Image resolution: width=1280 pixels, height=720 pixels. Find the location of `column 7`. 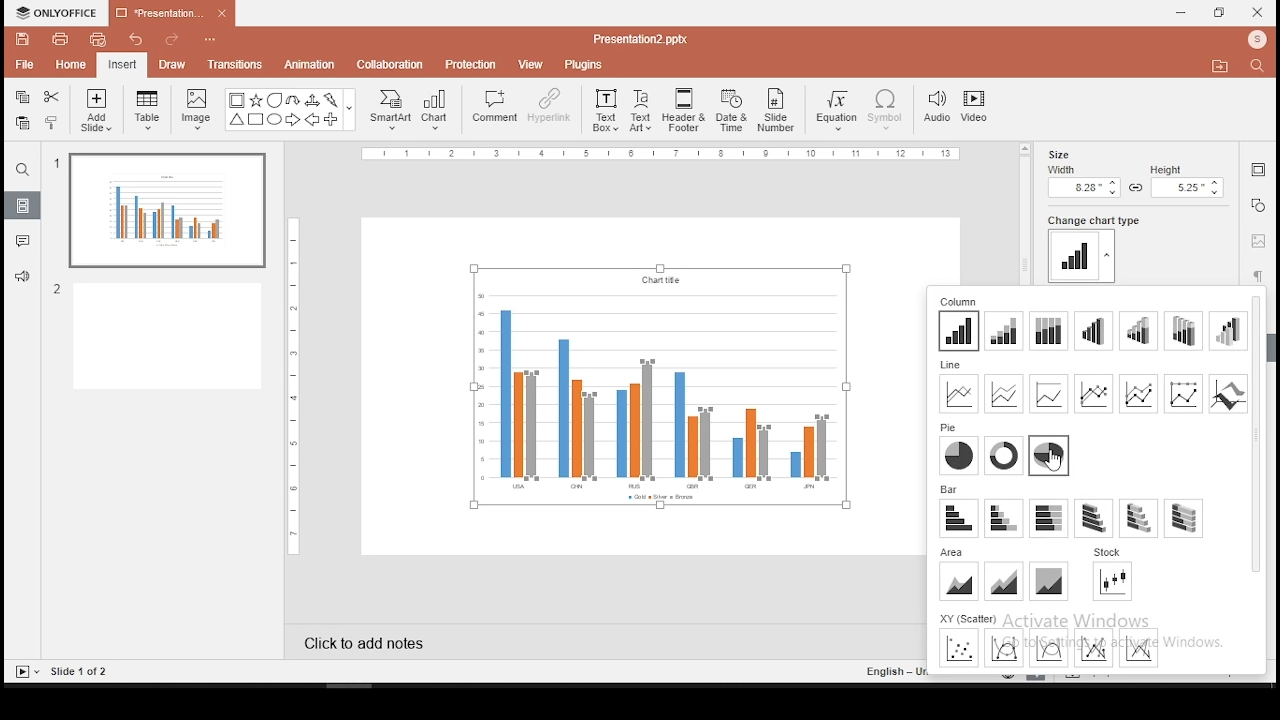

column 7 is located at coordinates (1228, 332).